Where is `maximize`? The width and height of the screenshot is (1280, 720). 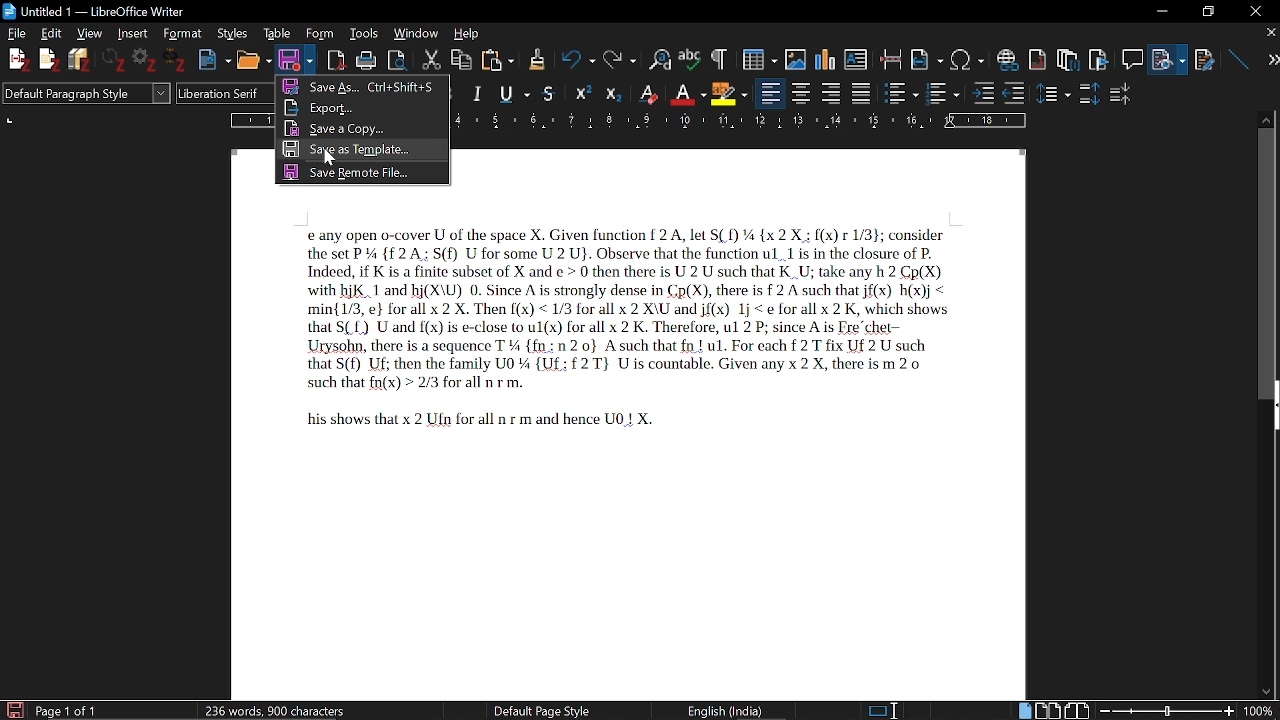 maximize is located at coordinates (1207, 10).